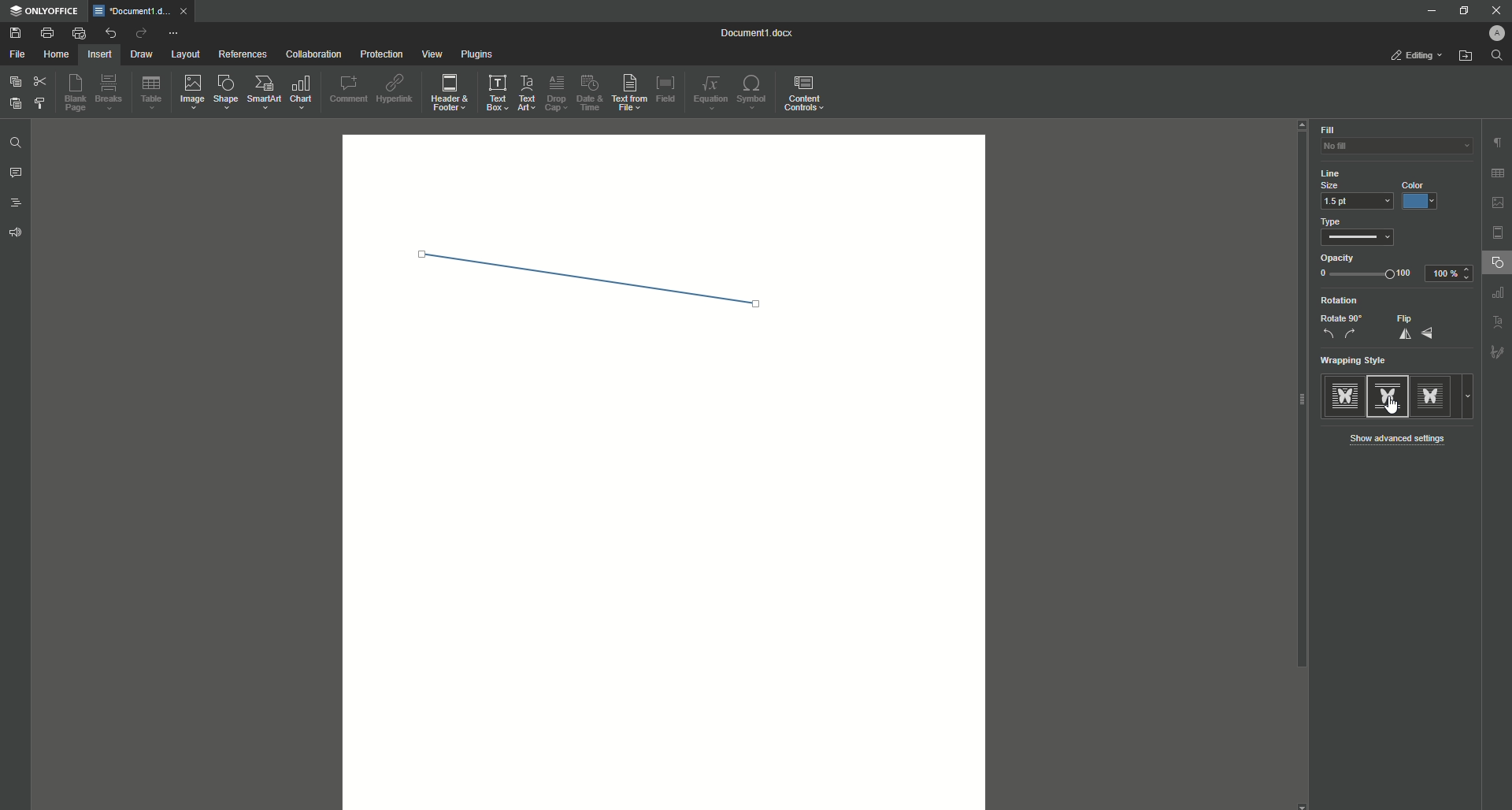  I want to click on Blue Color, so click(1423, 196).